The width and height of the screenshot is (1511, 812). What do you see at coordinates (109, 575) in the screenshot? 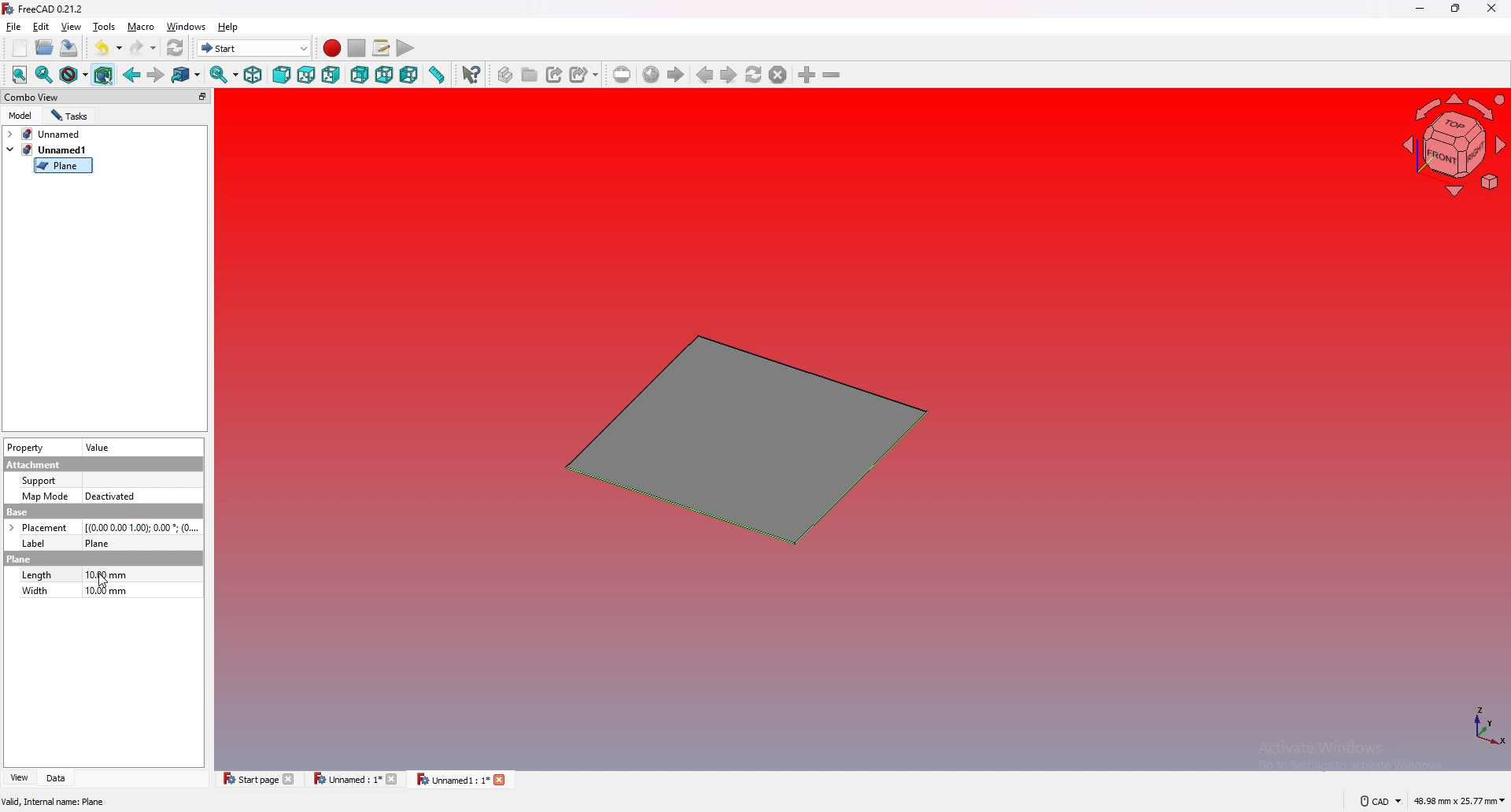
I see `10.00 mm` at bounding box center [109, 575].